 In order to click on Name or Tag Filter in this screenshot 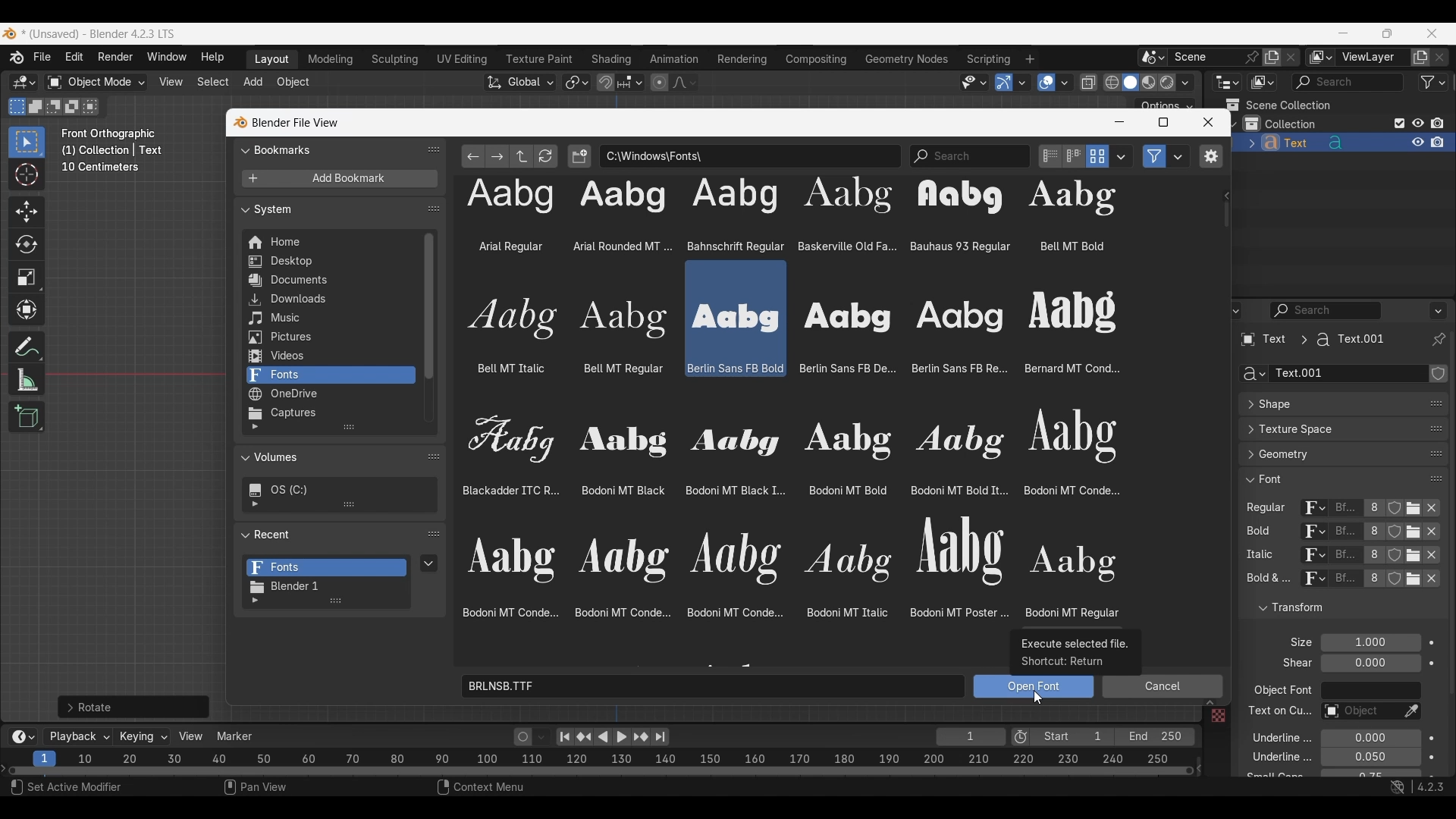, I will do `click(970, 156)`.